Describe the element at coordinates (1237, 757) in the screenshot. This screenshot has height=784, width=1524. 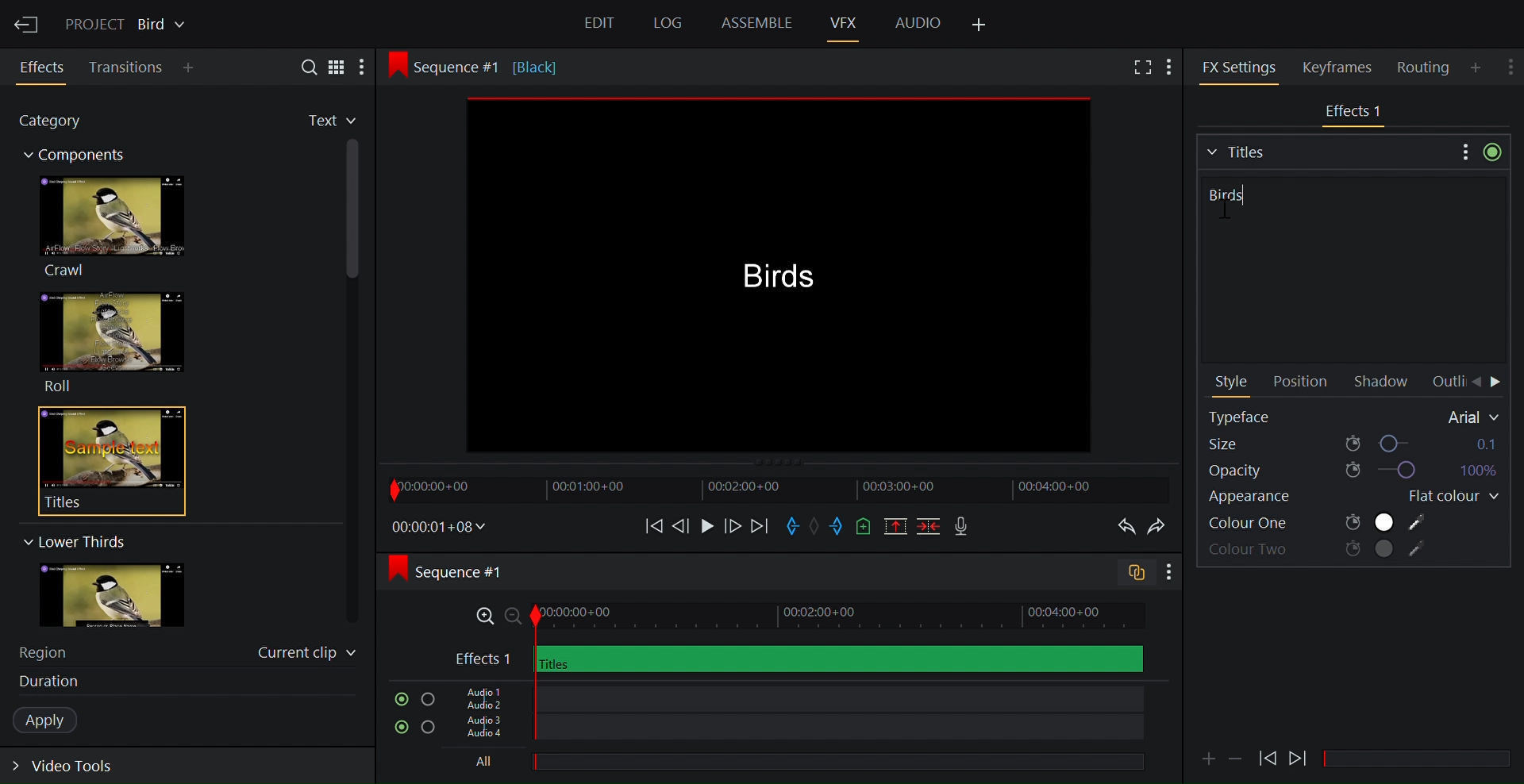
I see `Minimize` at that location.